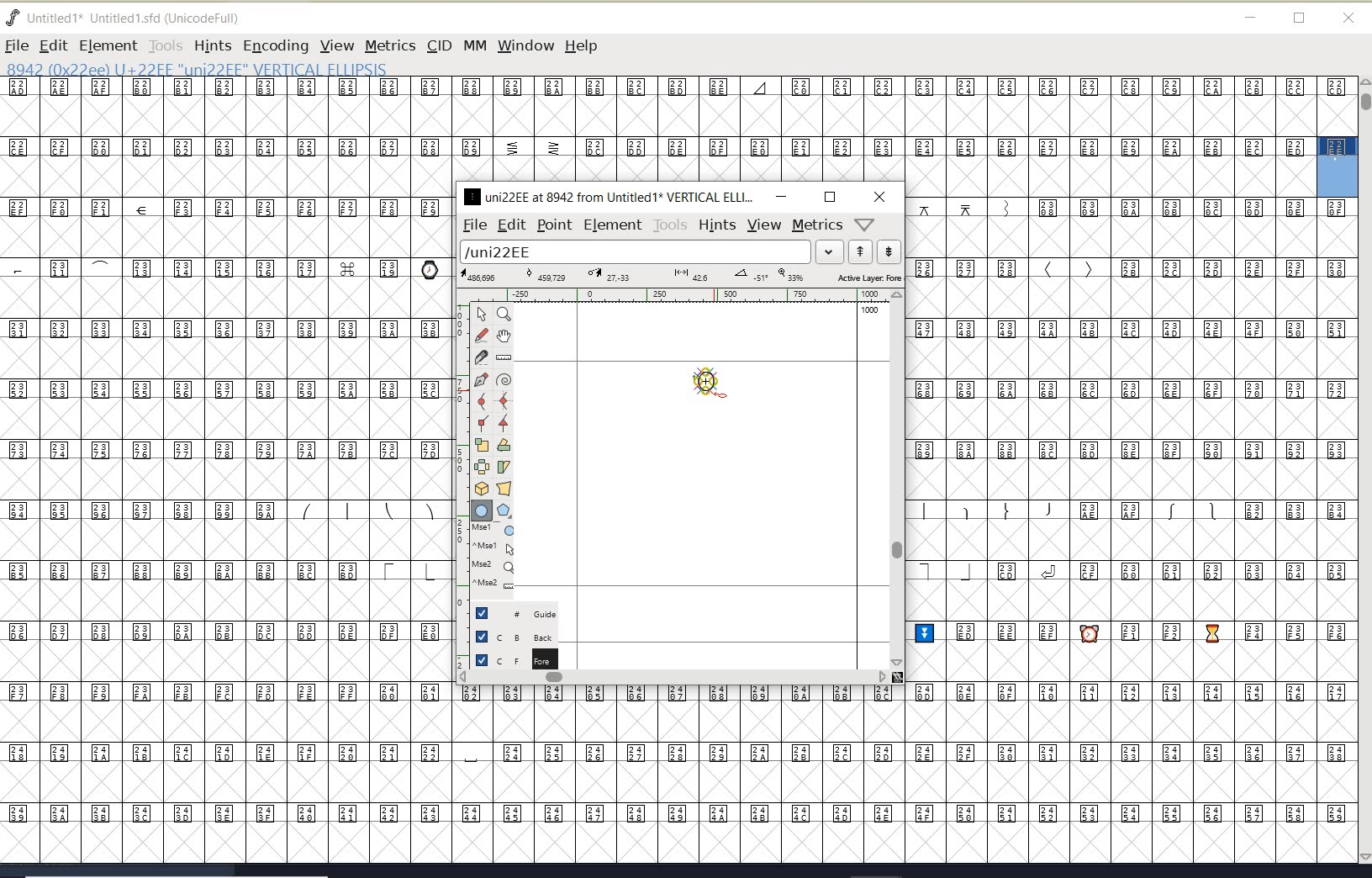 The image size is (1372, 878). What do you see at coordinates (510, 224) in the screenshot?
I see `edit` at bounding box center [510, 224].